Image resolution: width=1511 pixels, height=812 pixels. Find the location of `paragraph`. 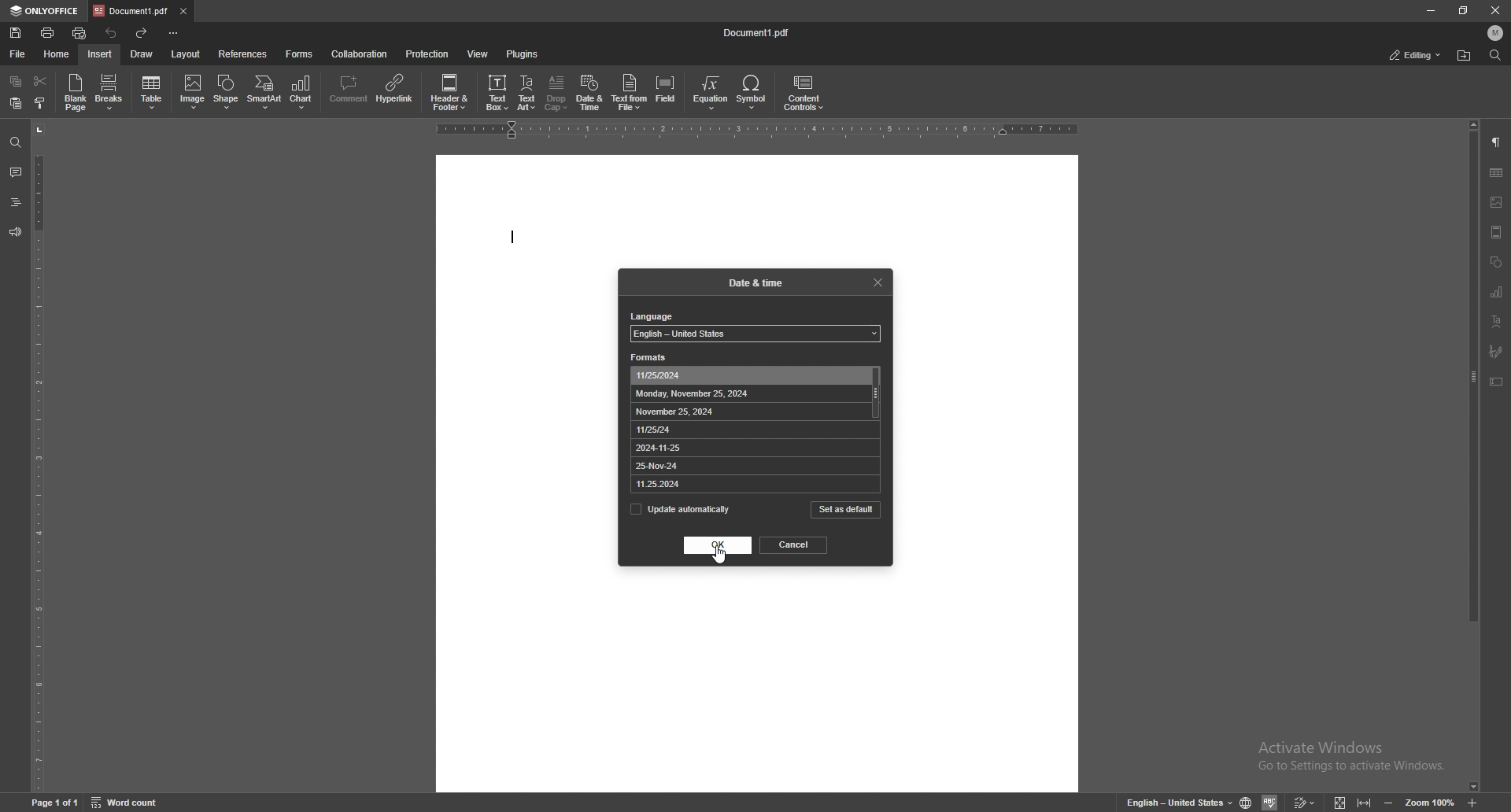

paragraph is located at coordinates (1497, 144).